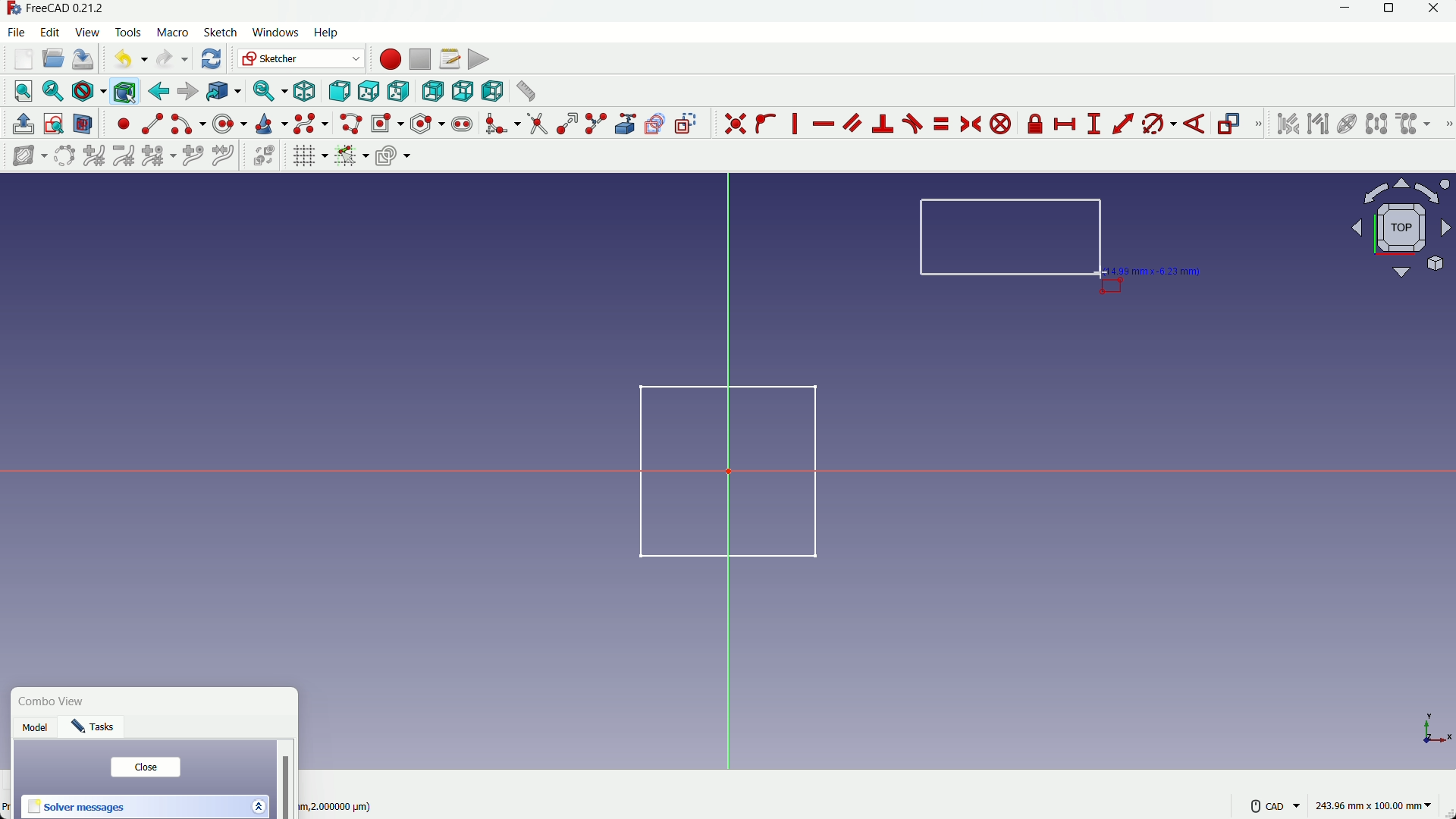  What do you see at coordinates (537, 124) in the screenshot?
I see `trim edges` at bounding box center [537, 124].